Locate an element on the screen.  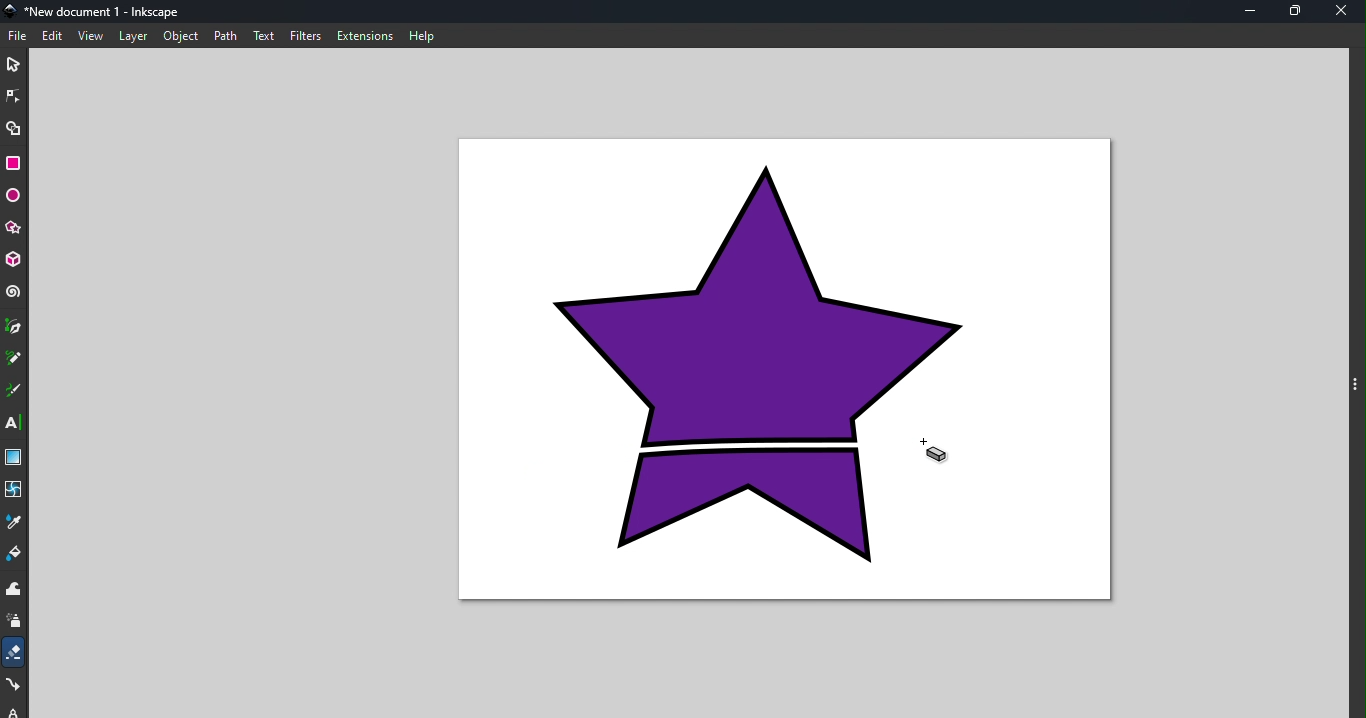
toggle command panel is located at coordinates (1355, 383).